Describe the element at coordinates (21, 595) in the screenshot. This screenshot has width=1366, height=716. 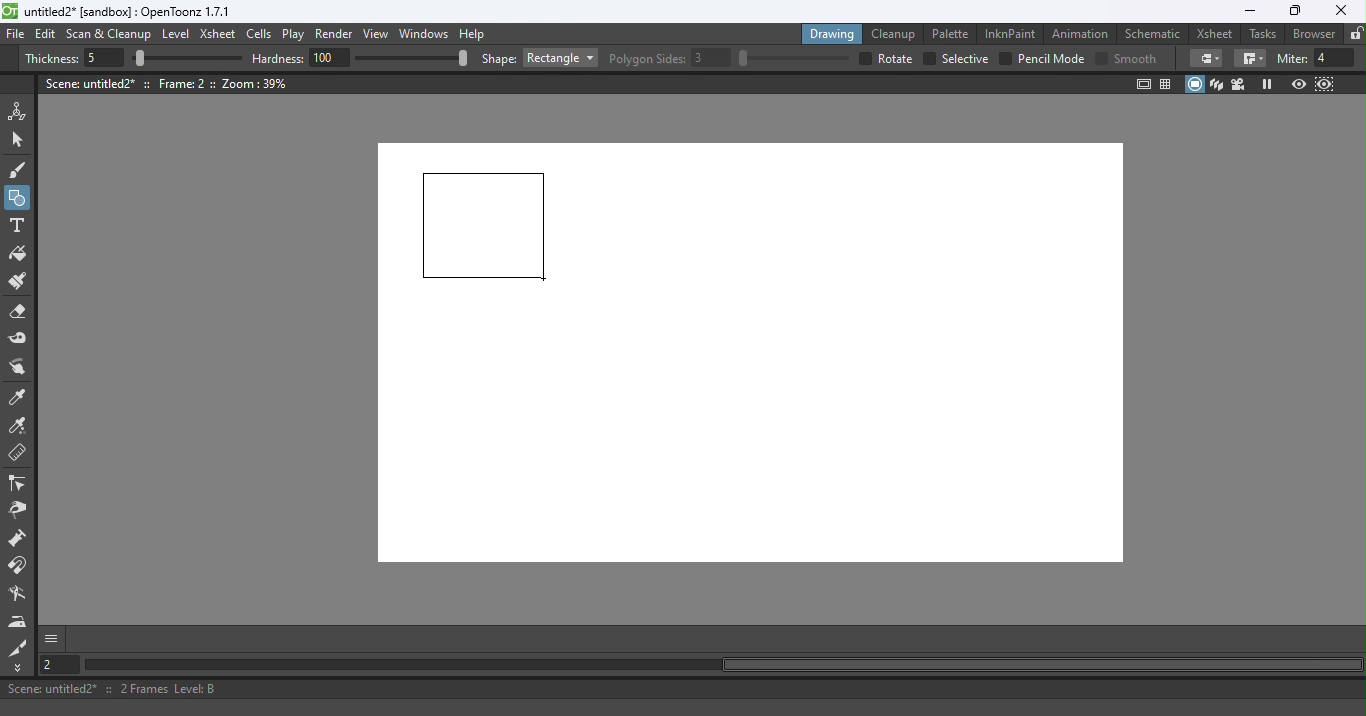
I see `Blender tool` at that location.